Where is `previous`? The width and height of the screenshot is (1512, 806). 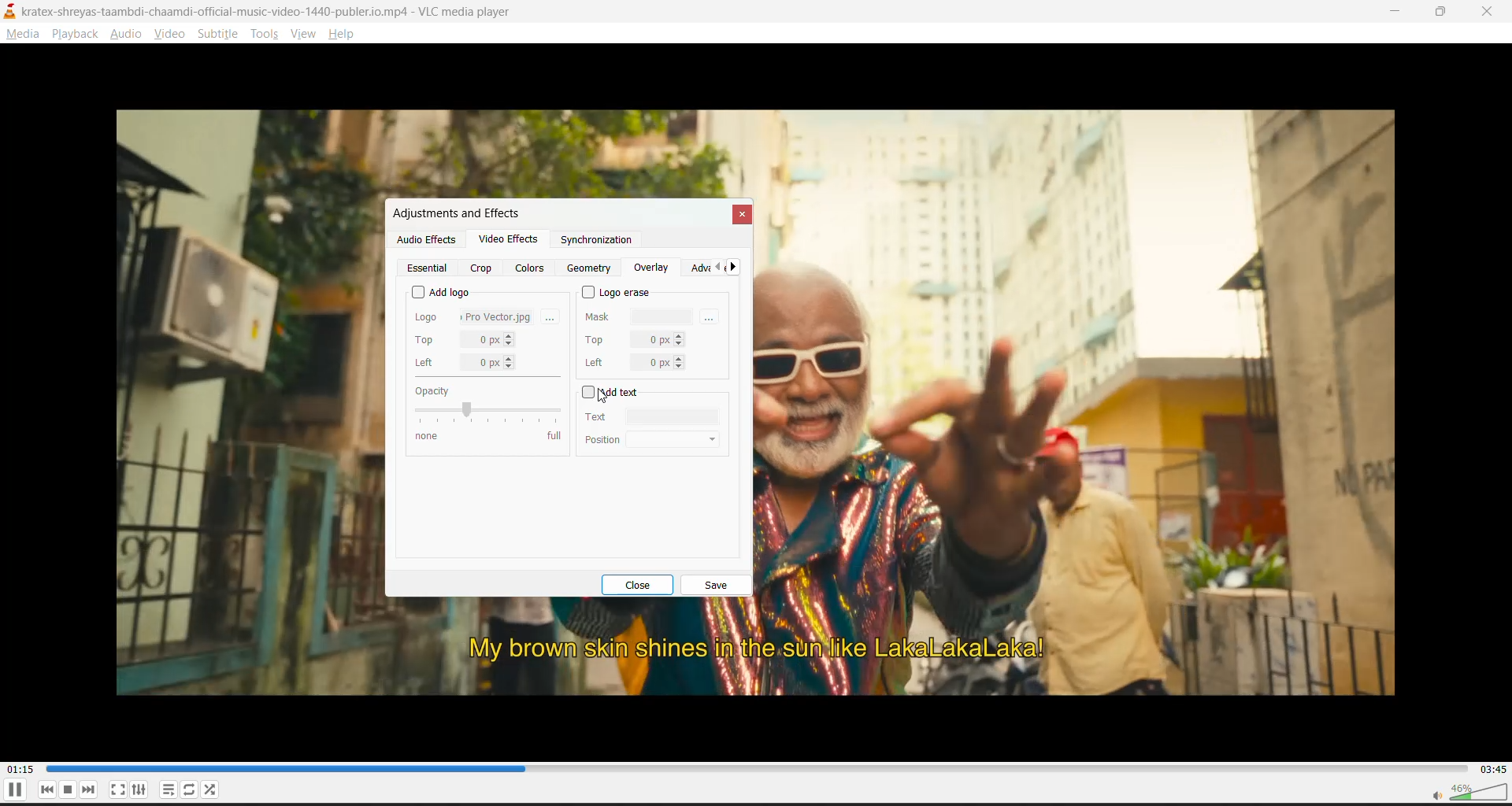
previous is located at coordinates (50, 789).